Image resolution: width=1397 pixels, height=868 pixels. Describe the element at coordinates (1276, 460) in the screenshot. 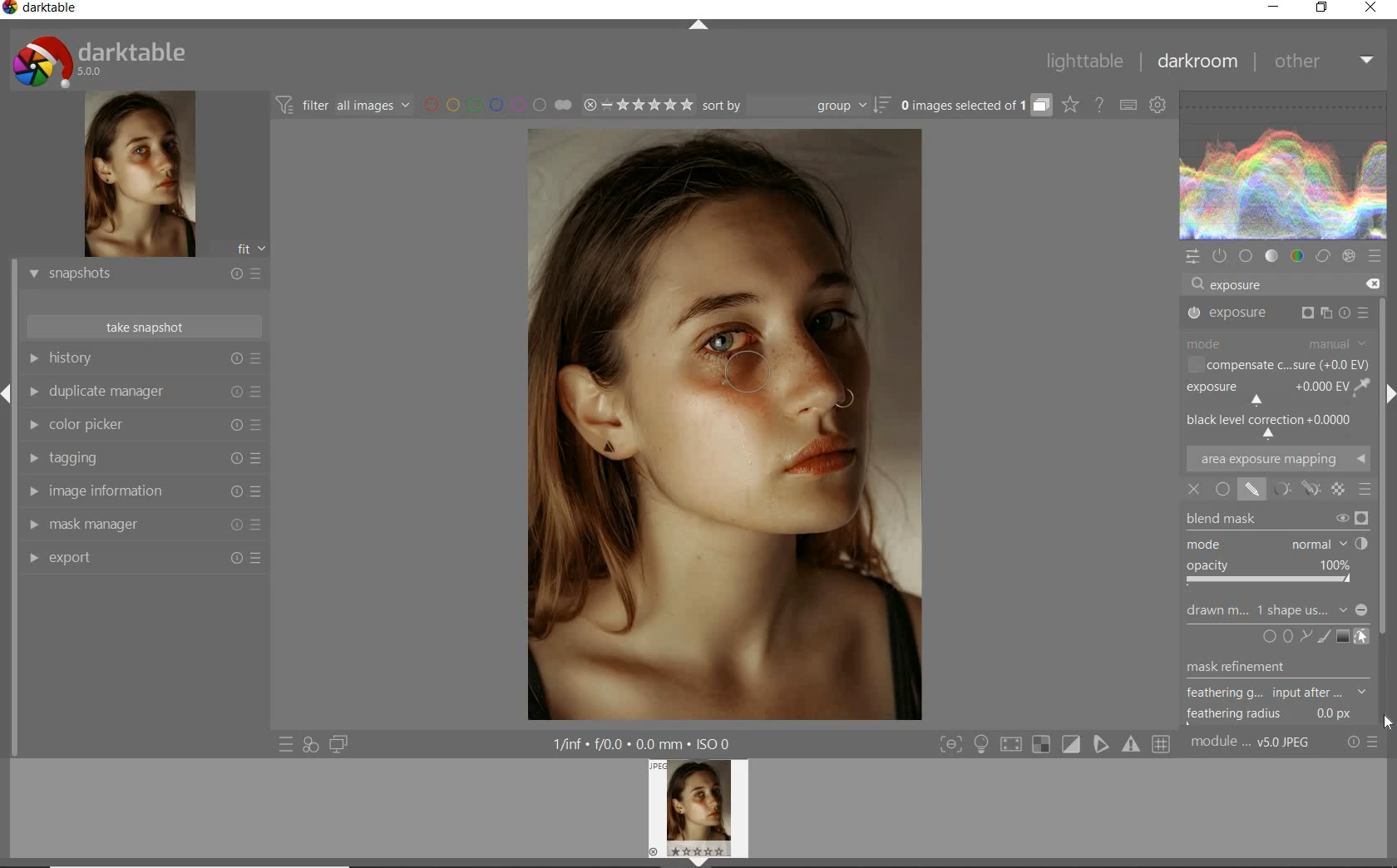

I see `AREA EXPOSURE MAPPING` at that location.